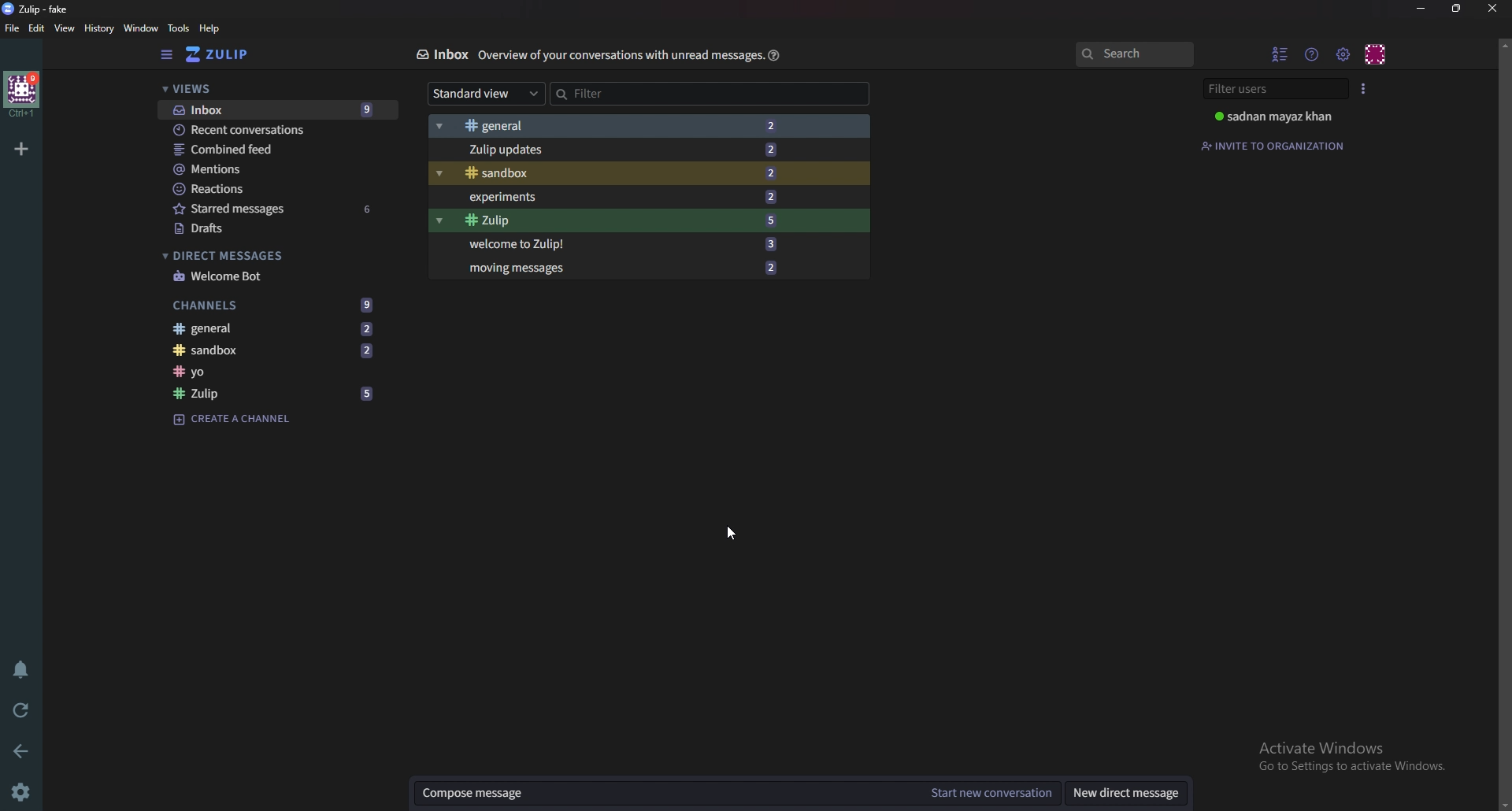  Describe the element at coordinates (625, 222) in the screenshot. I see `zulip` at that location.